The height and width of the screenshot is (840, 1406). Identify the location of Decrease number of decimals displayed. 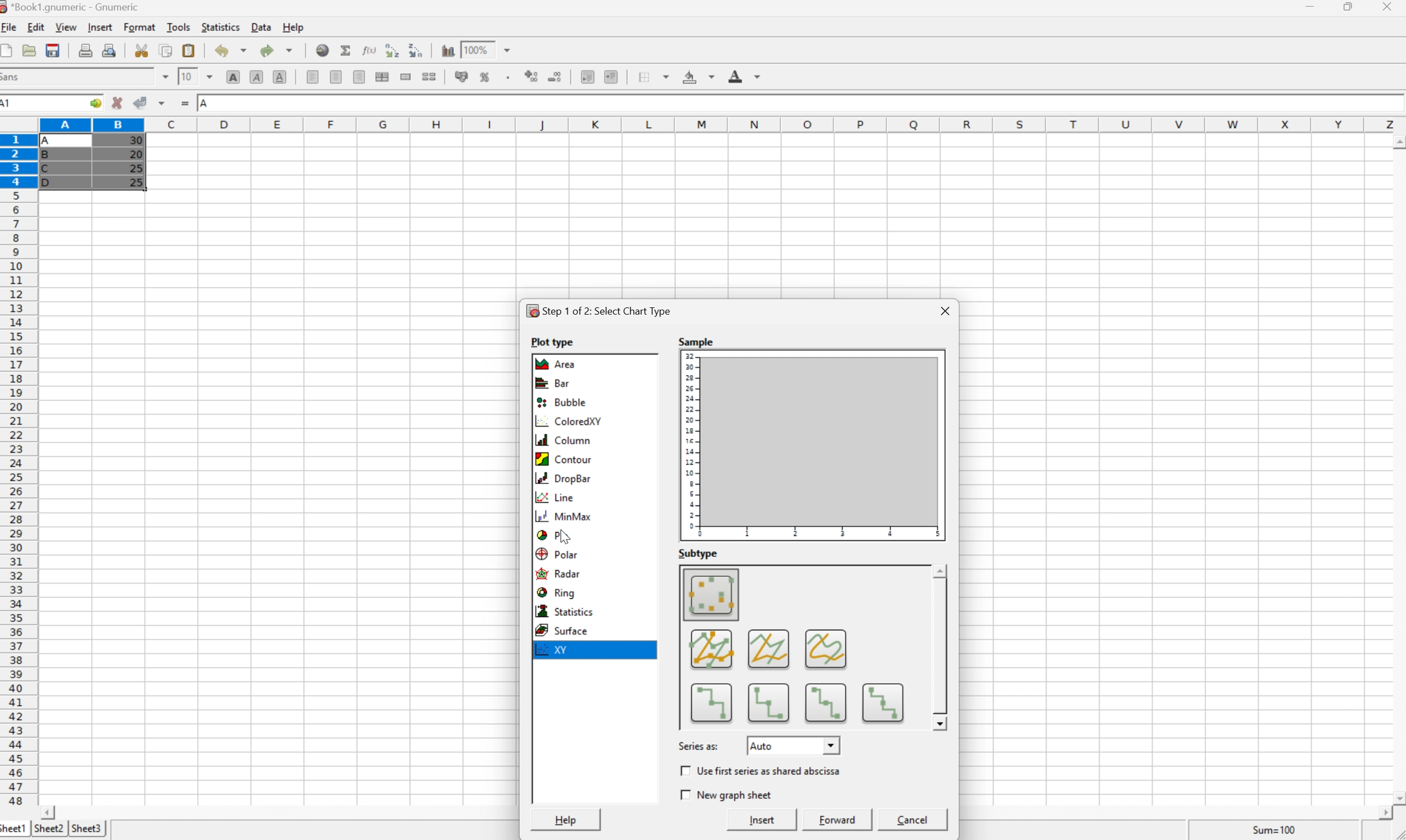
(557, 78).